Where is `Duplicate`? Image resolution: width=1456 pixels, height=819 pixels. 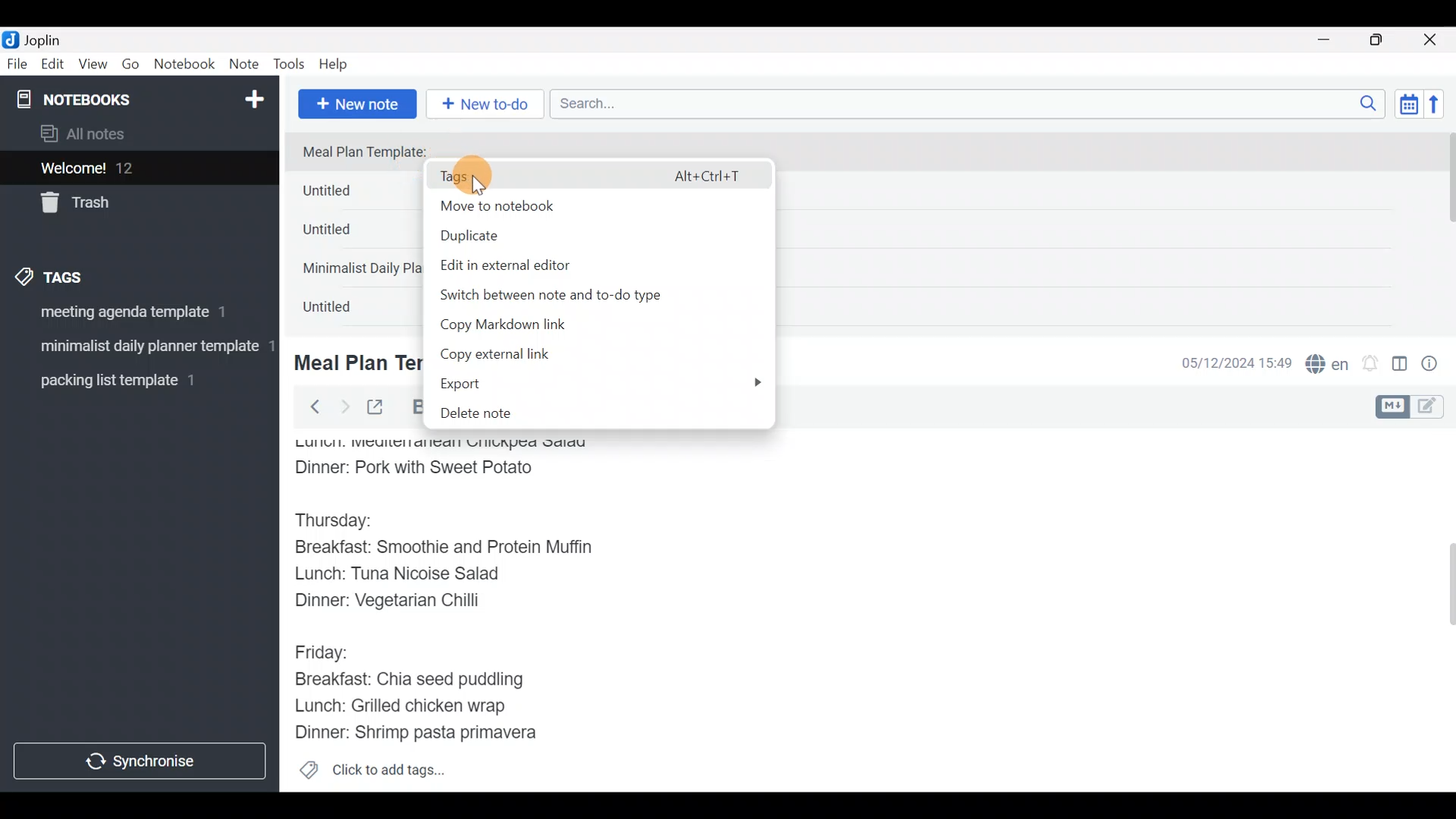
Duplicate is located at coordinates (527, 236).